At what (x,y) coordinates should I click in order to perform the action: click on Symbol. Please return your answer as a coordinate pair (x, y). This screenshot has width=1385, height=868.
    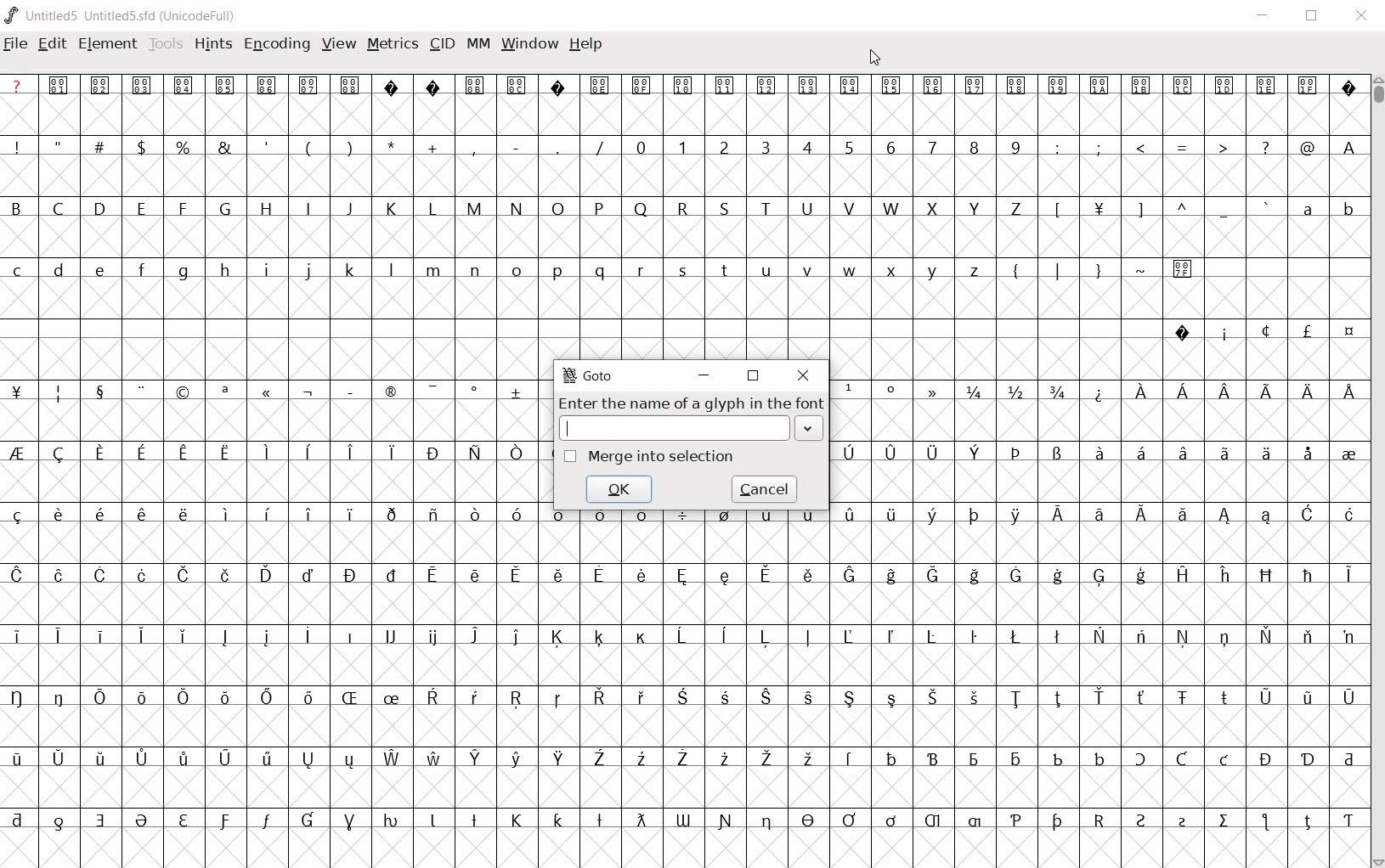
    Looking at the image, I should click on (1057, 516).